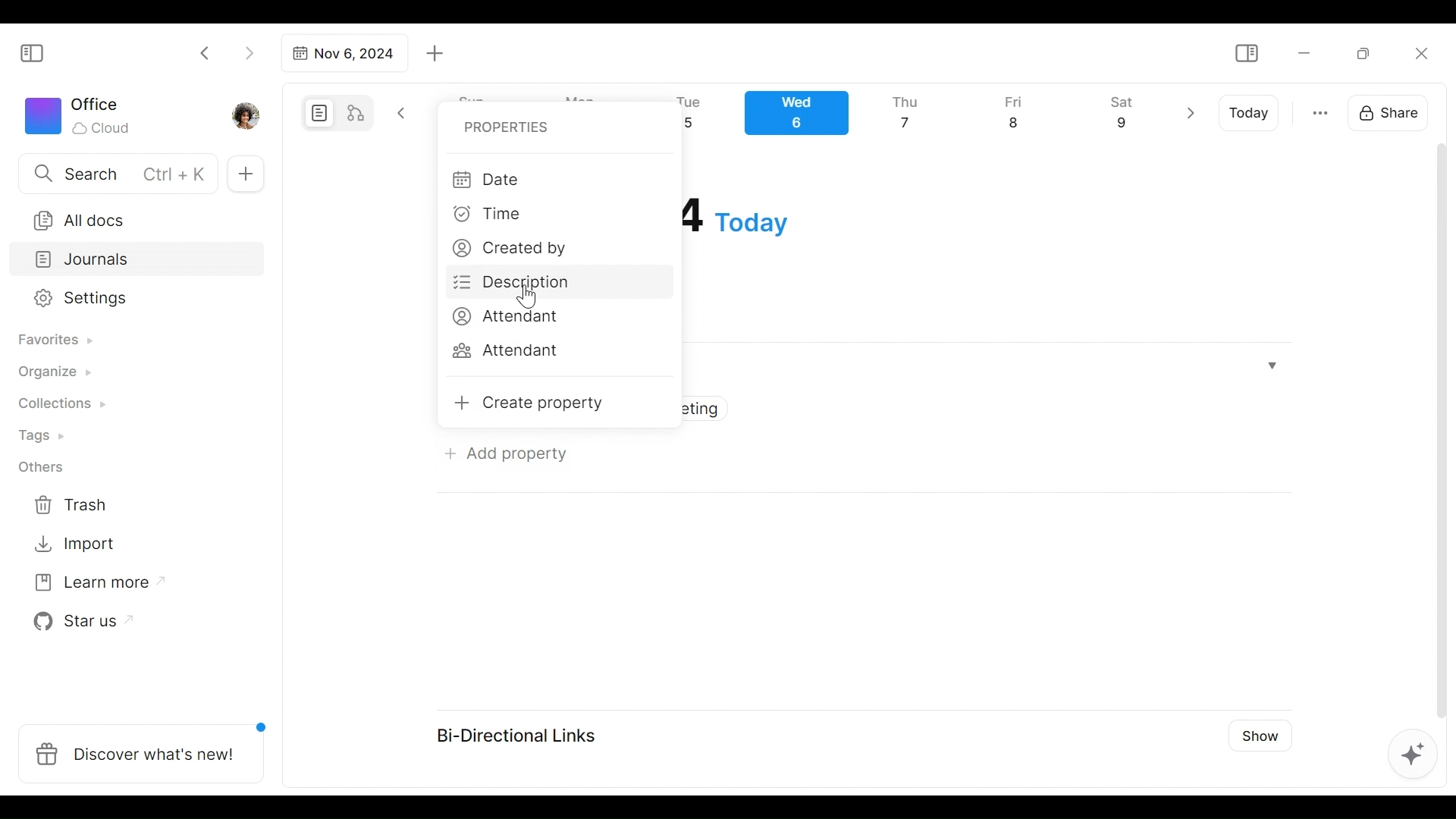 Image resolution: width=1456 pixels, height=819 pixels. I want to click on Page mode, so click(317, 113).